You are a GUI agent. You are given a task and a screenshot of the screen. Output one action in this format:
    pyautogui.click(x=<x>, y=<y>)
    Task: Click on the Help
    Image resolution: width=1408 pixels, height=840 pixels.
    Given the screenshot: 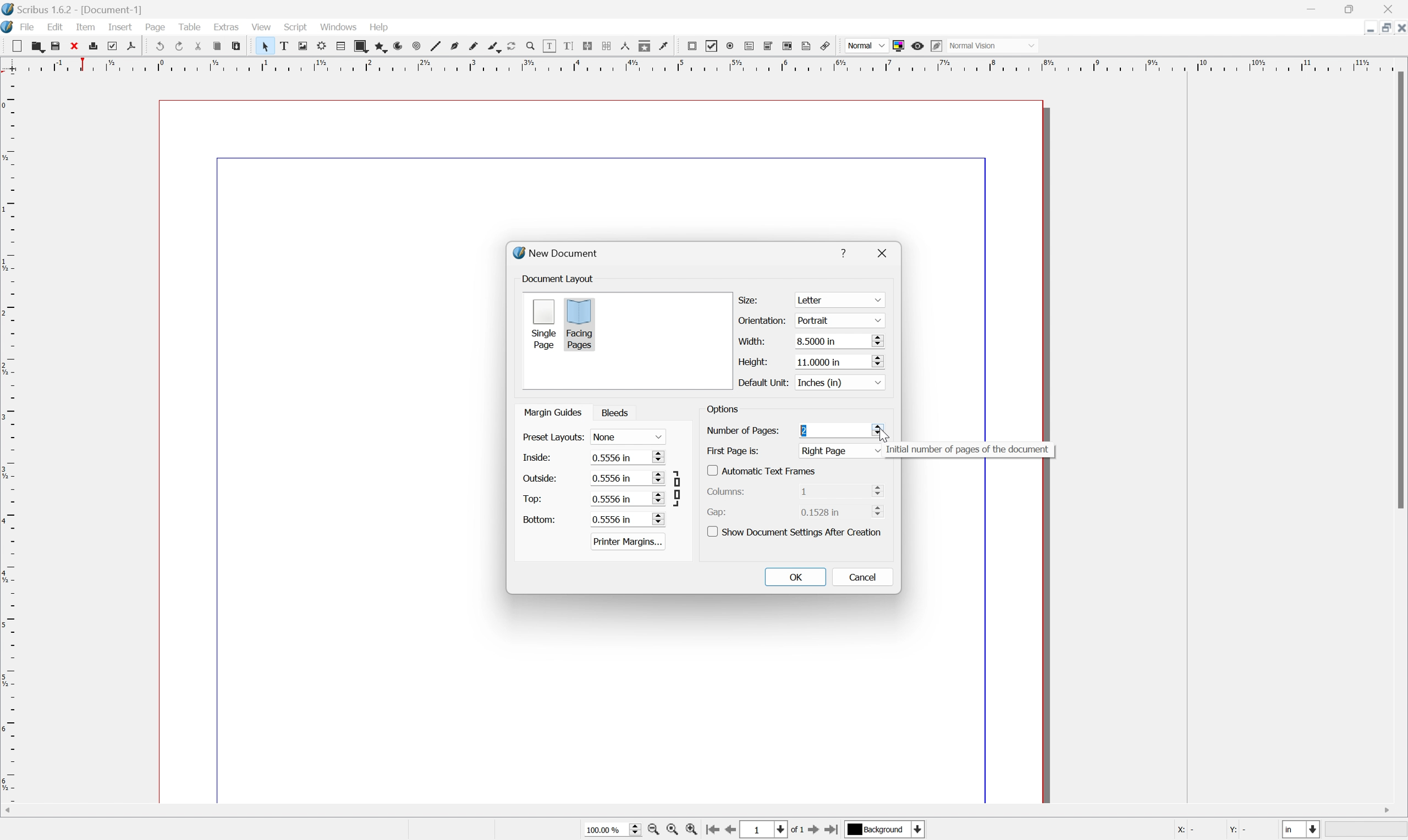 What is the action you would take?
    pyautogui.click(x=378, y=27)
    